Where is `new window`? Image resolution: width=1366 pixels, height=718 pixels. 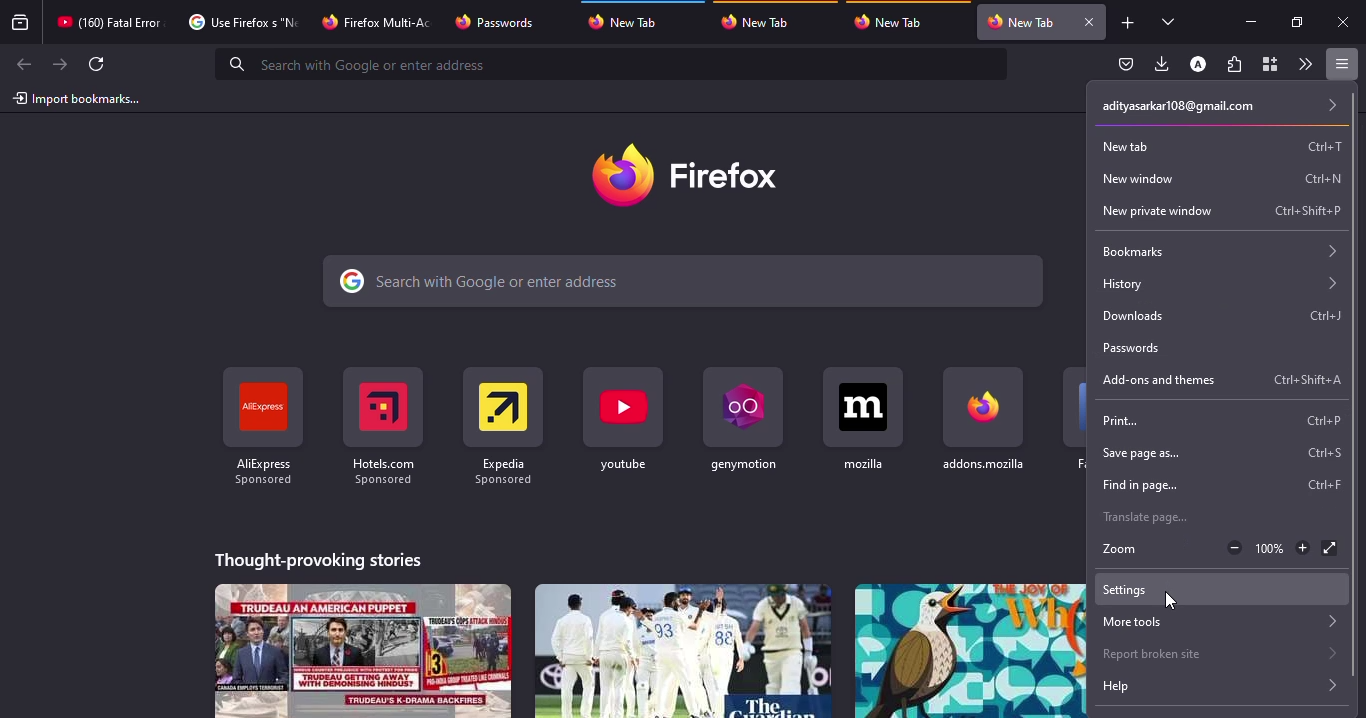
new window is located at coordinates (1145, 177).